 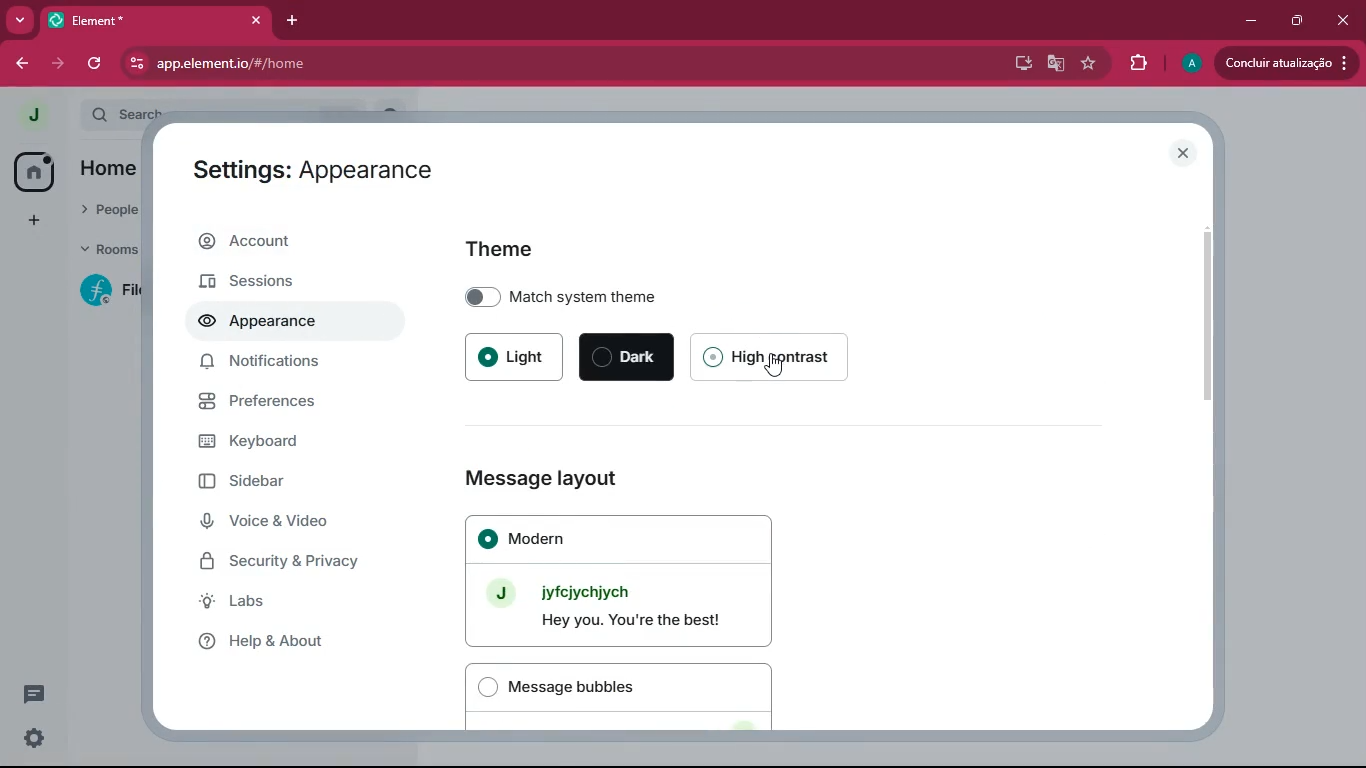 I want to click on add tab, so click(x=289, y=19).